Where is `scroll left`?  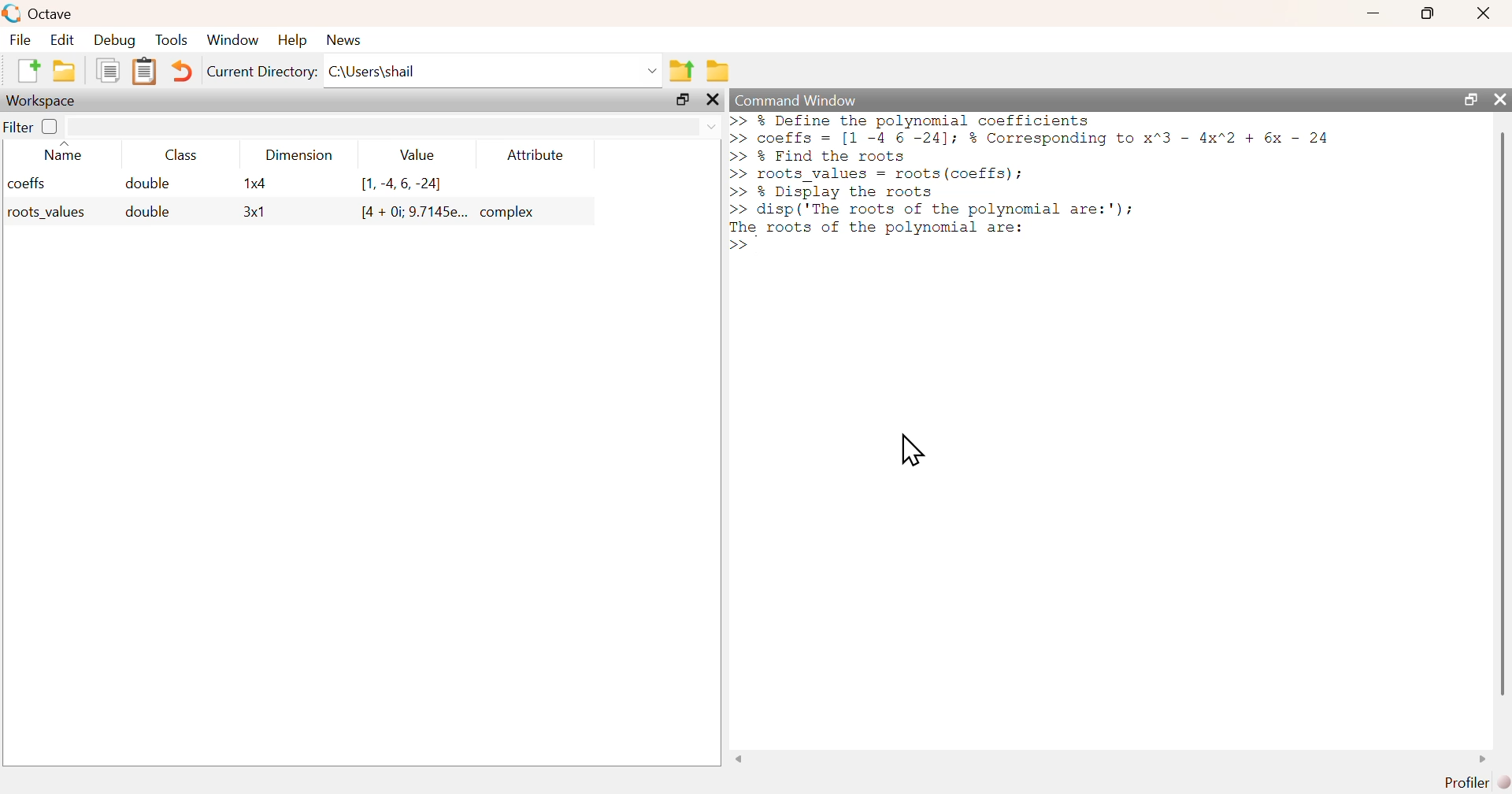
scroll left is located at coordinates (739, 759).